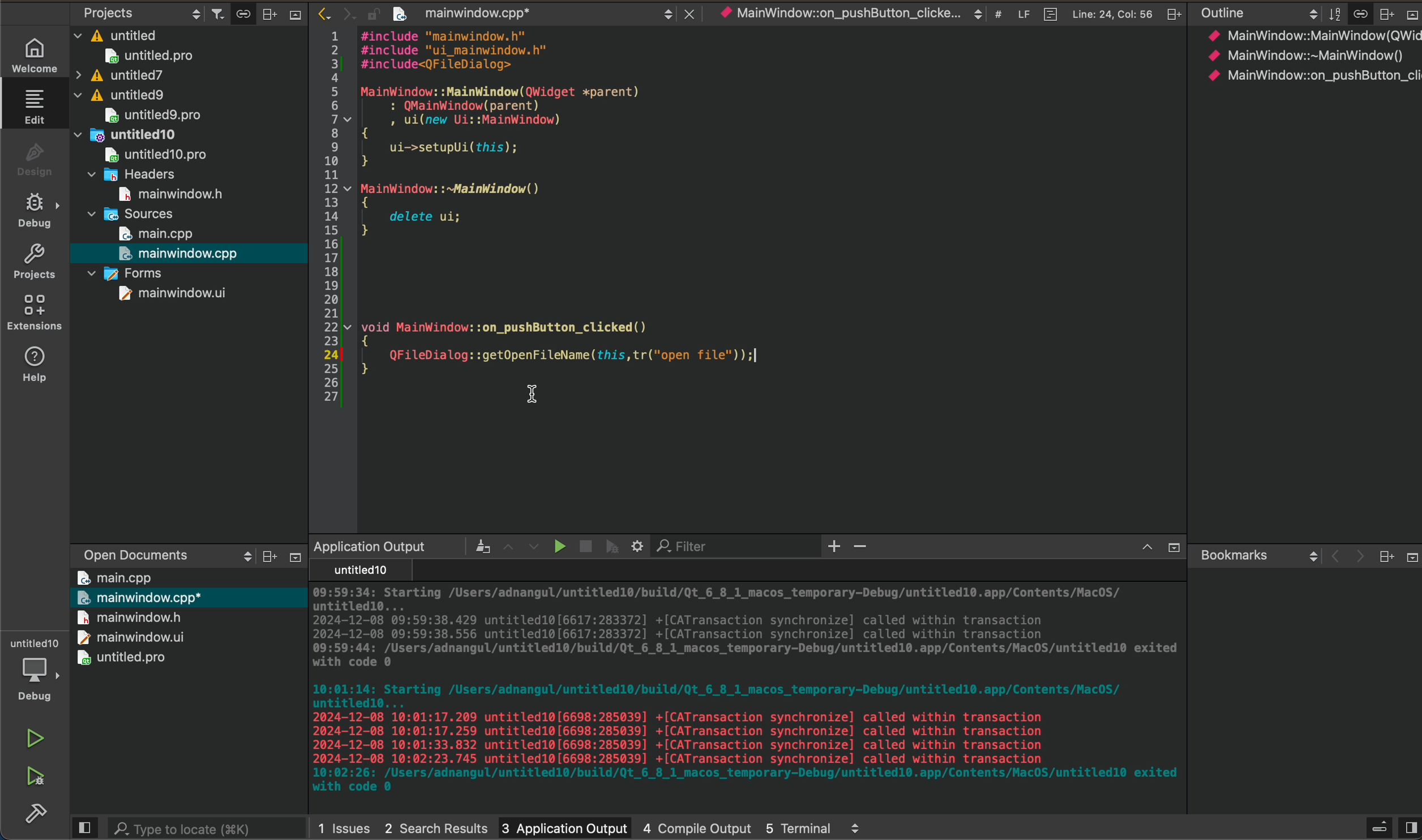  I want to click on untitled.pro, so click(148, 55).